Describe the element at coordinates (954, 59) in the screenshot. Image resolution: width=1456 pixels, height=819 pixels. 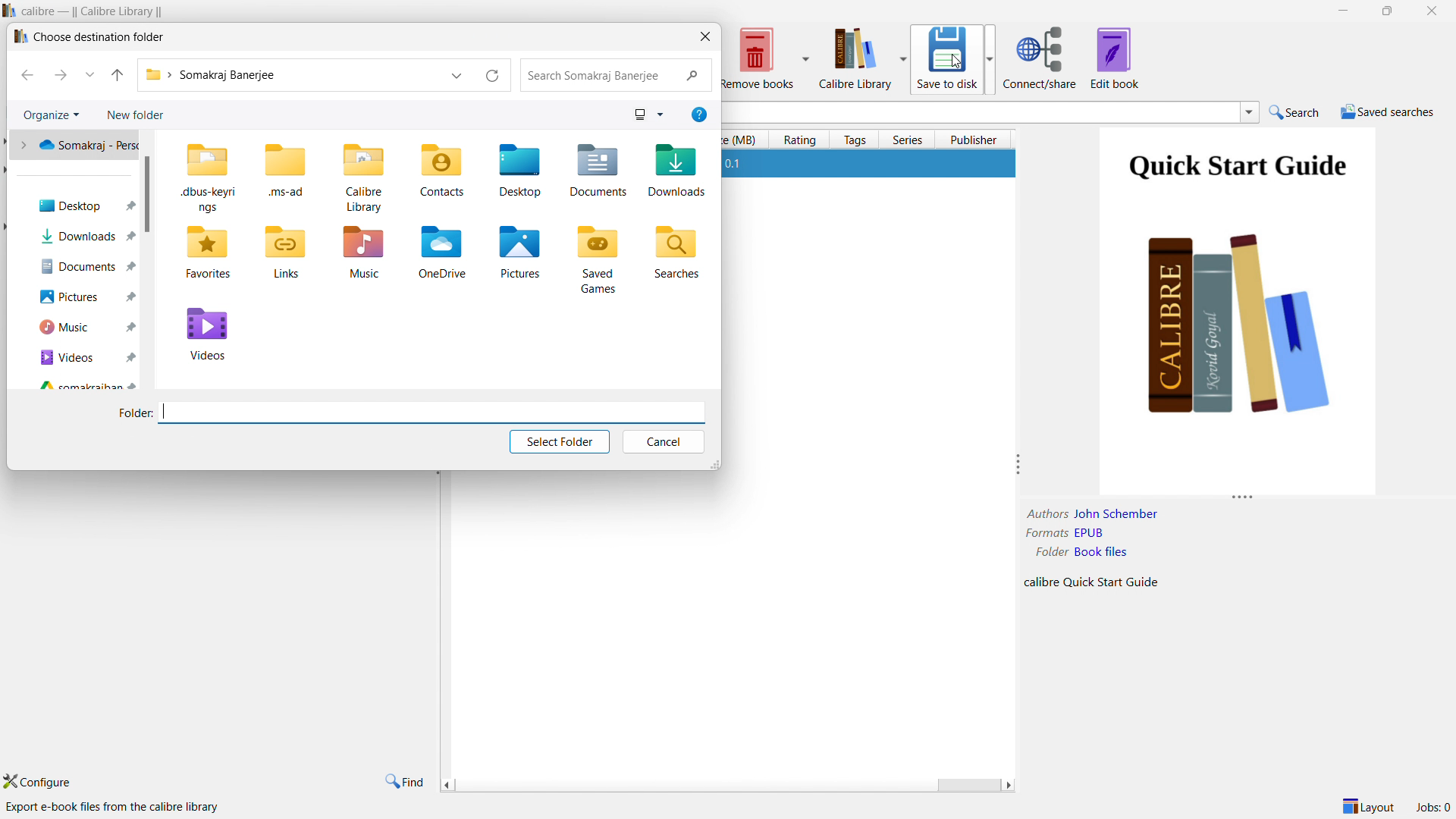
I see `save to disk` at that location.